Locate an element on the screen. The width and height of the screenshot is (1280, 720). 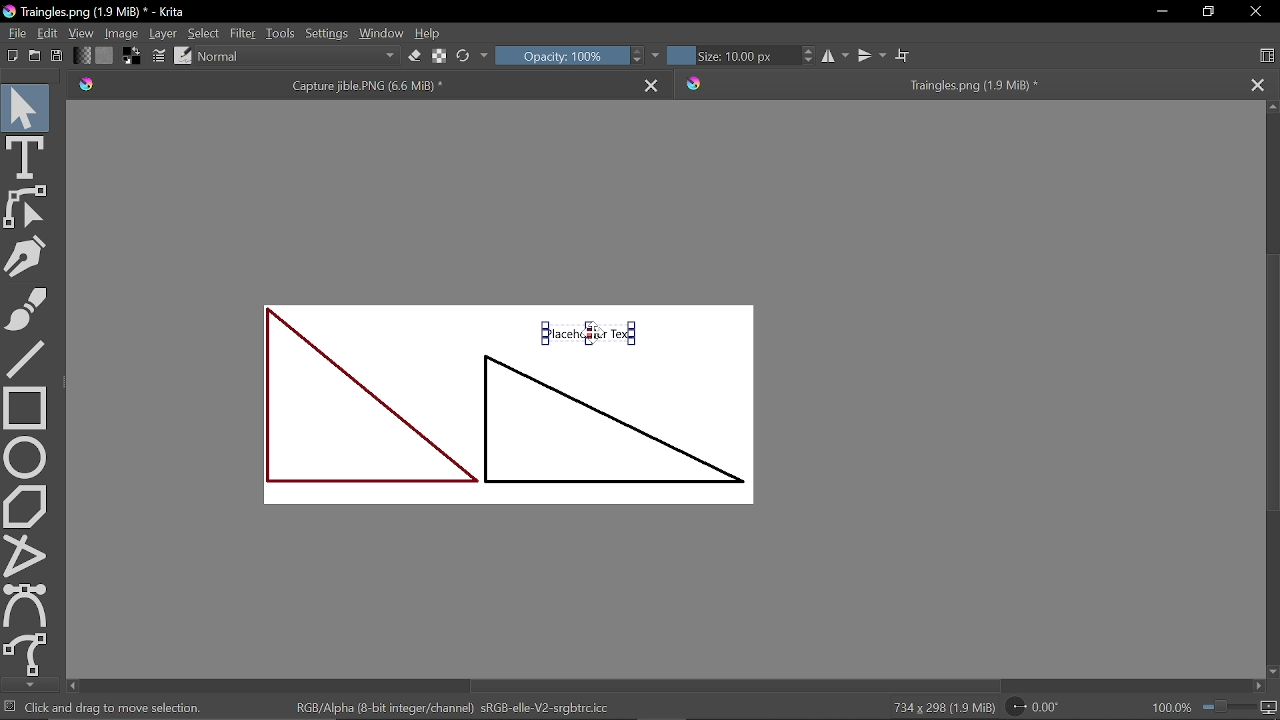
Traingles.png (1.9 MiB) * - Krita is located at coordinates (98, 12).